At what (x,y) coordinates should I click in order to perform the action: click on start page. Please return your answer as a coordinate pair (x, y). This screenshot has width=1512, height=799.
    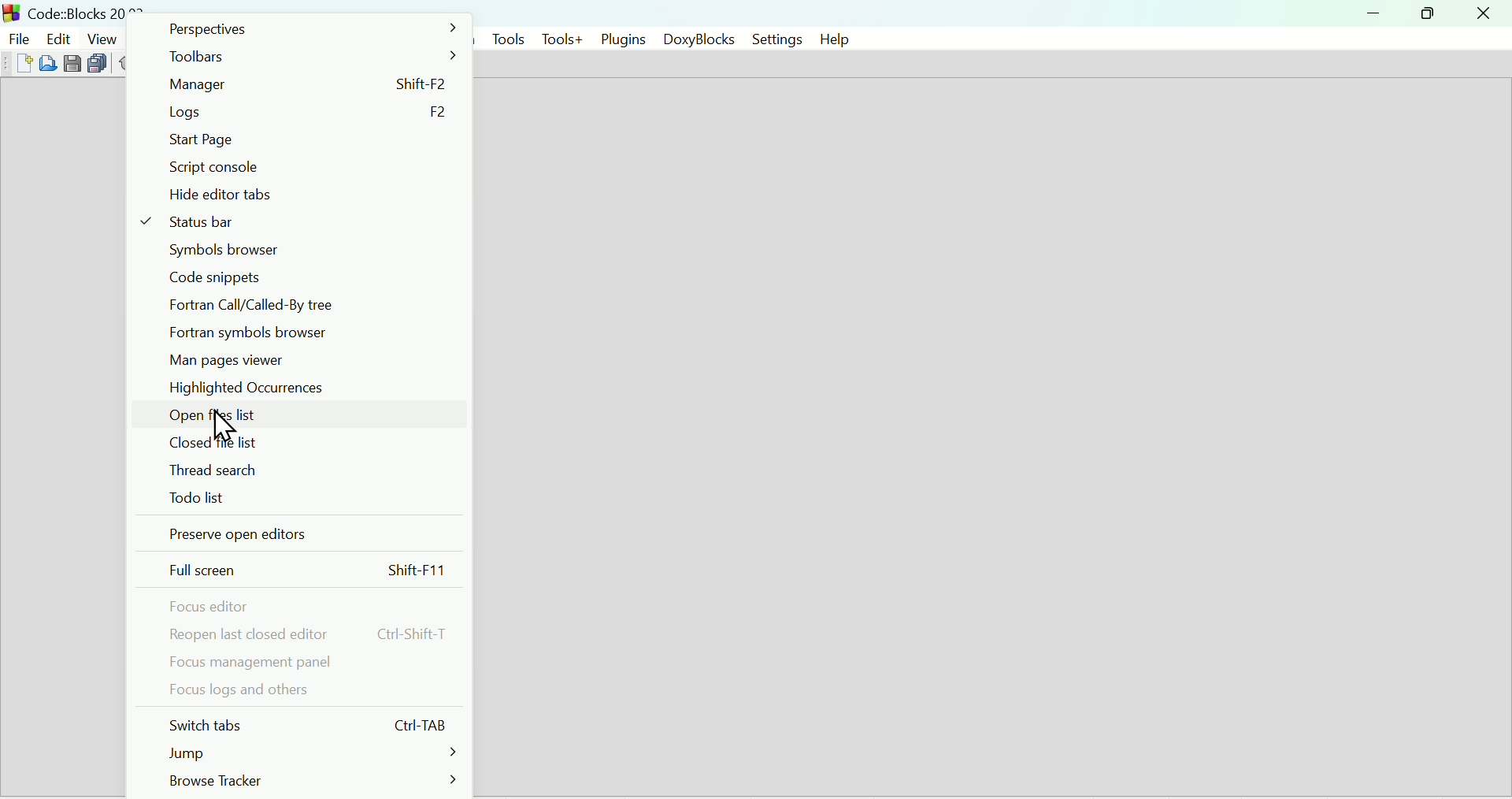
    Looking at the image, I should click on (306, 139).